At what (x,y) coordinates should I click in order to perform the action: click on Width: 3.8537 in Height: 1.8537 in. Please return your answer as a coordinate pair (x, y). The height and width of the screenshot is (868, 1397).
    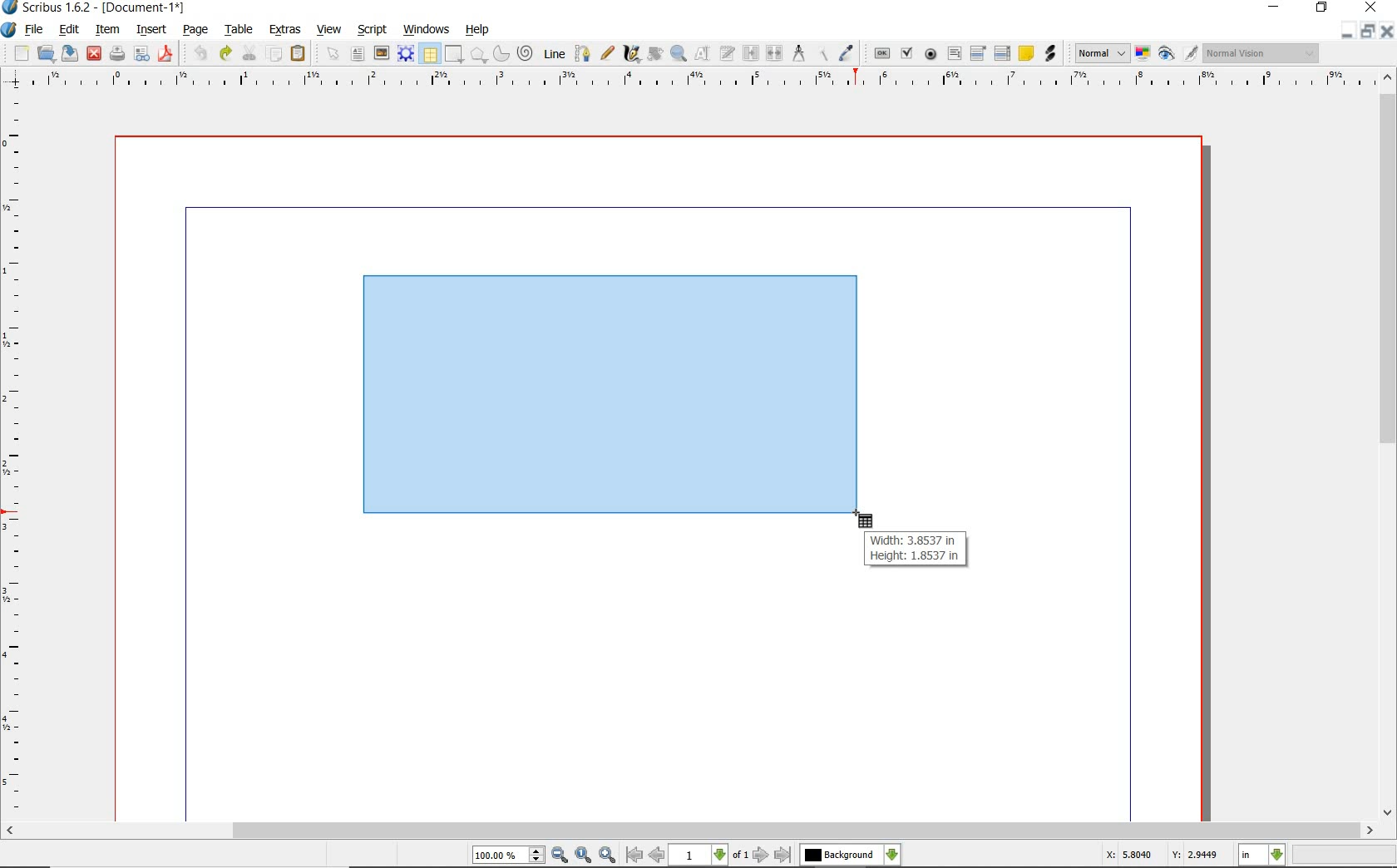
    Looking at the image, I should click on (916, 548).